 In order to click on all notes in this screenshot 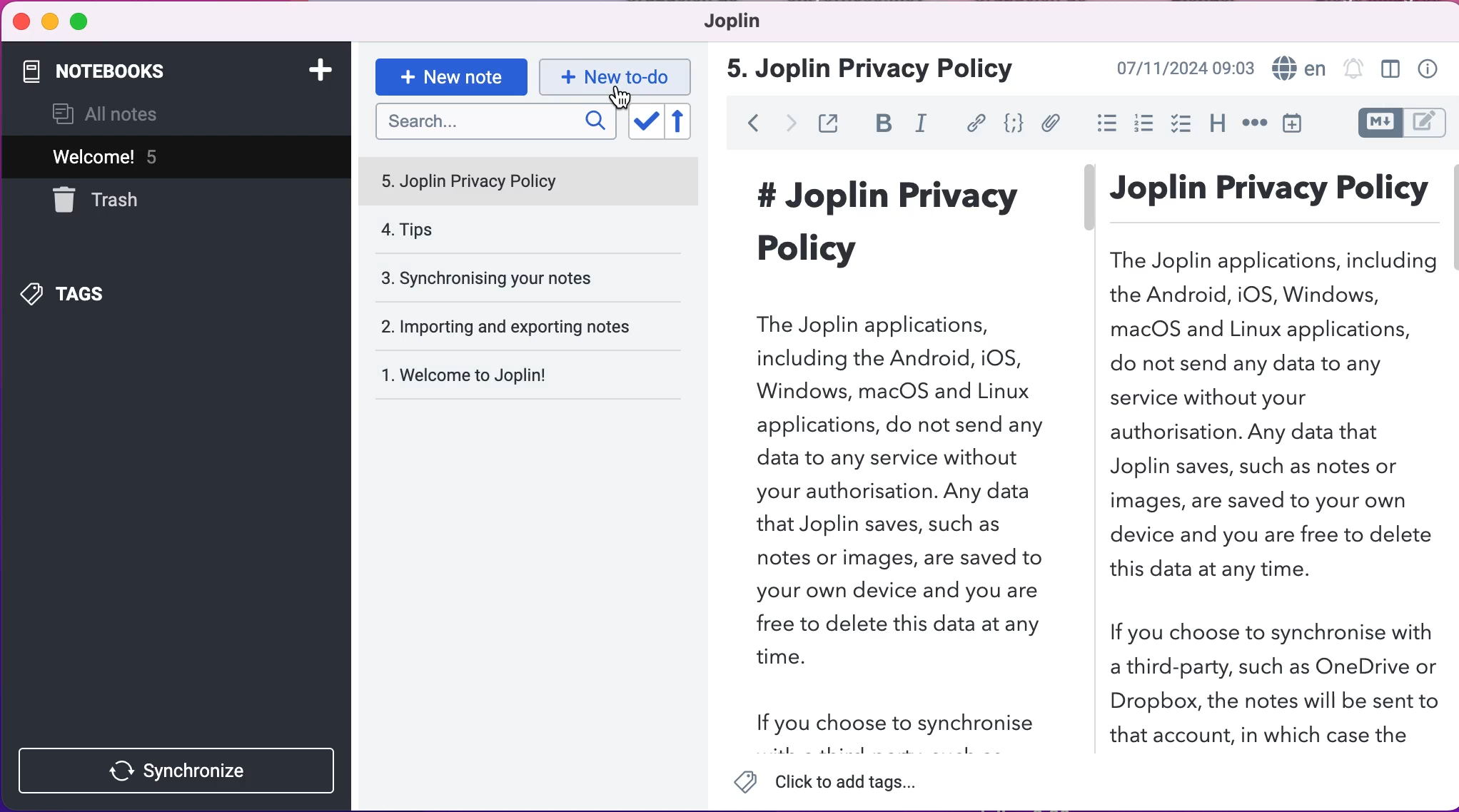, I will do `click(114, 116)`.